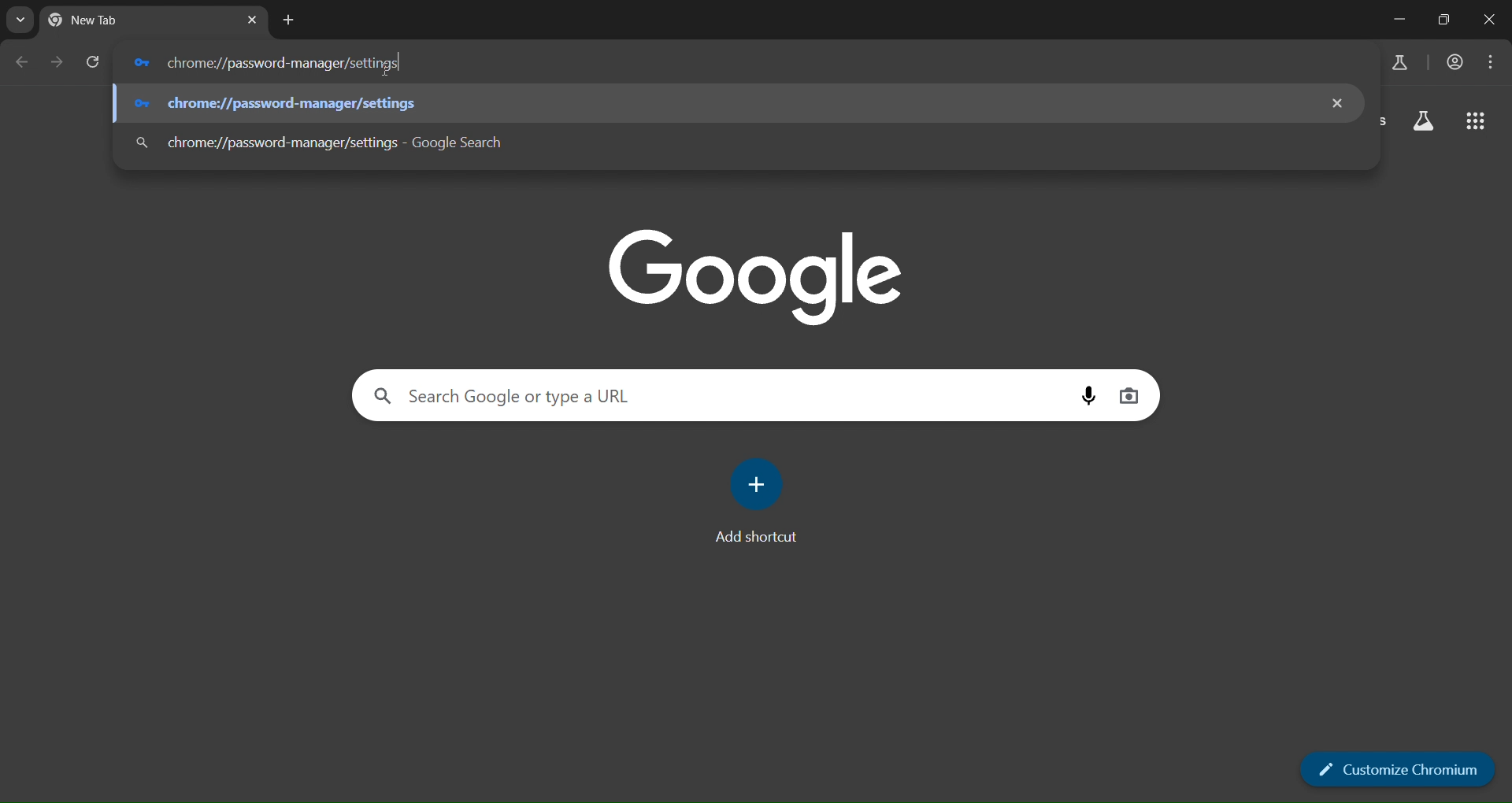 The image size is (1512, 803). I want to click on reload page, so click(94, 61).